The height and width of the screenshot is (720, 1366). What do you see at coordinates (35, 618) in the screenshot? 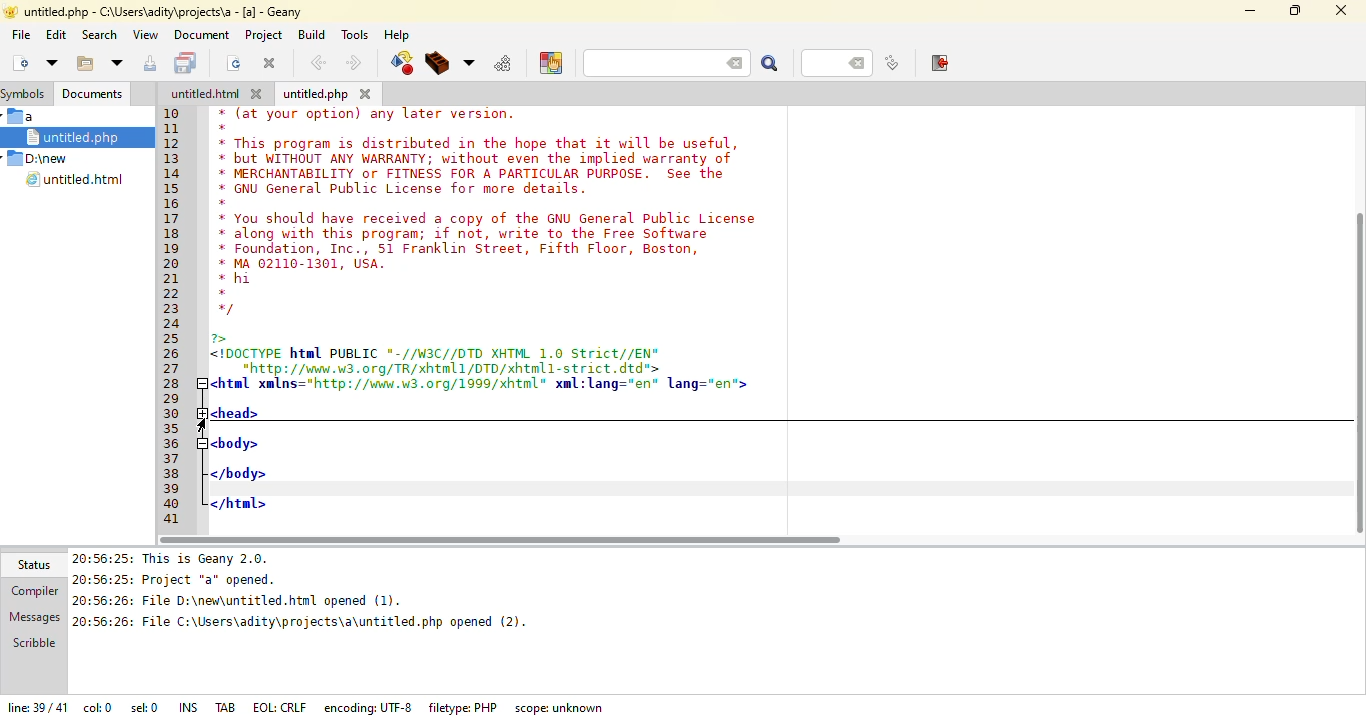
I see `messages` at bounding box center [35, 618].